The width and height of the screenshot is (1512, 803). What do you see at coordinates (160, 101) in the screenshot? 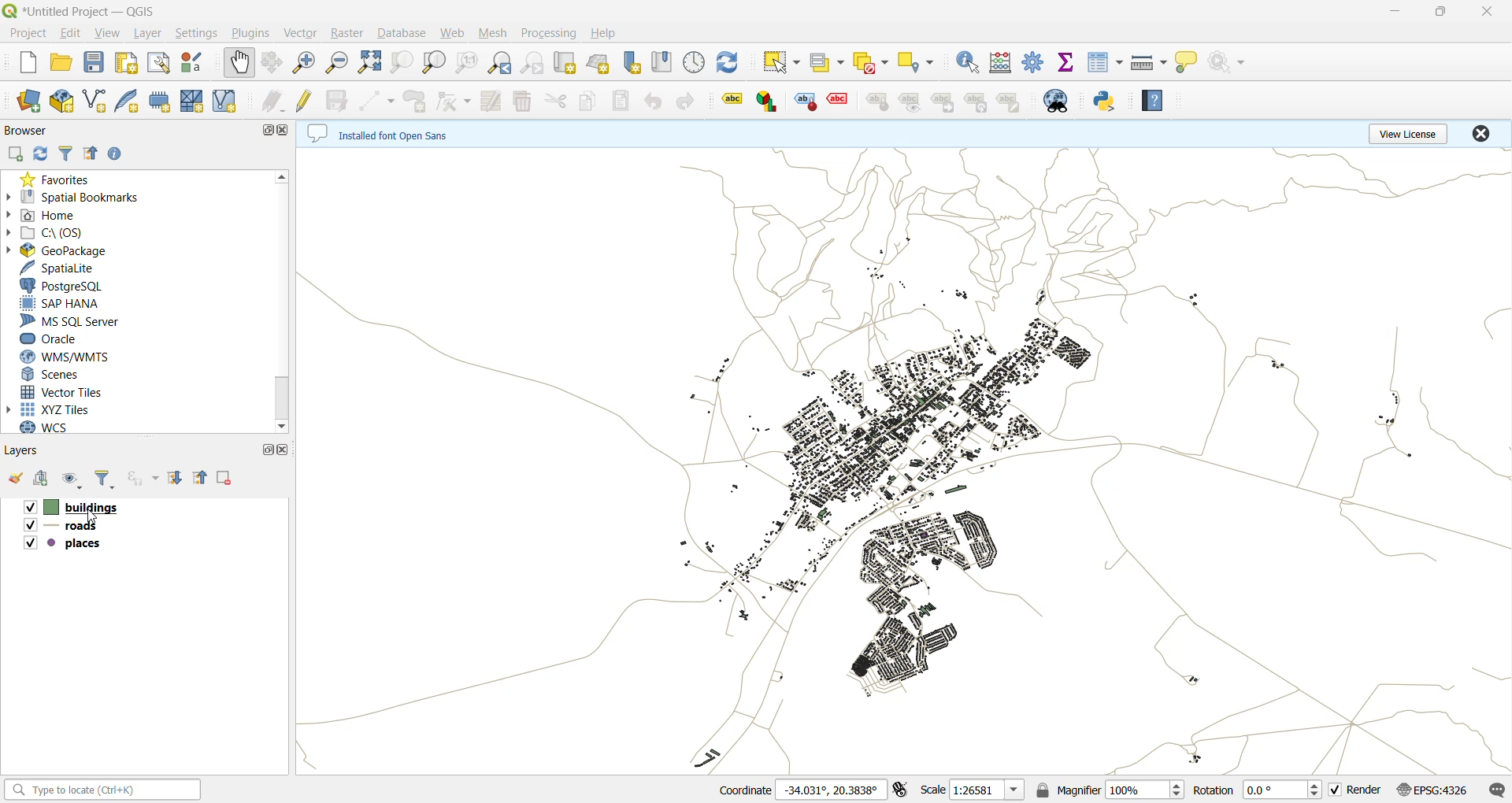
I see `temporary scratch file` at bounding box center [160, 101].